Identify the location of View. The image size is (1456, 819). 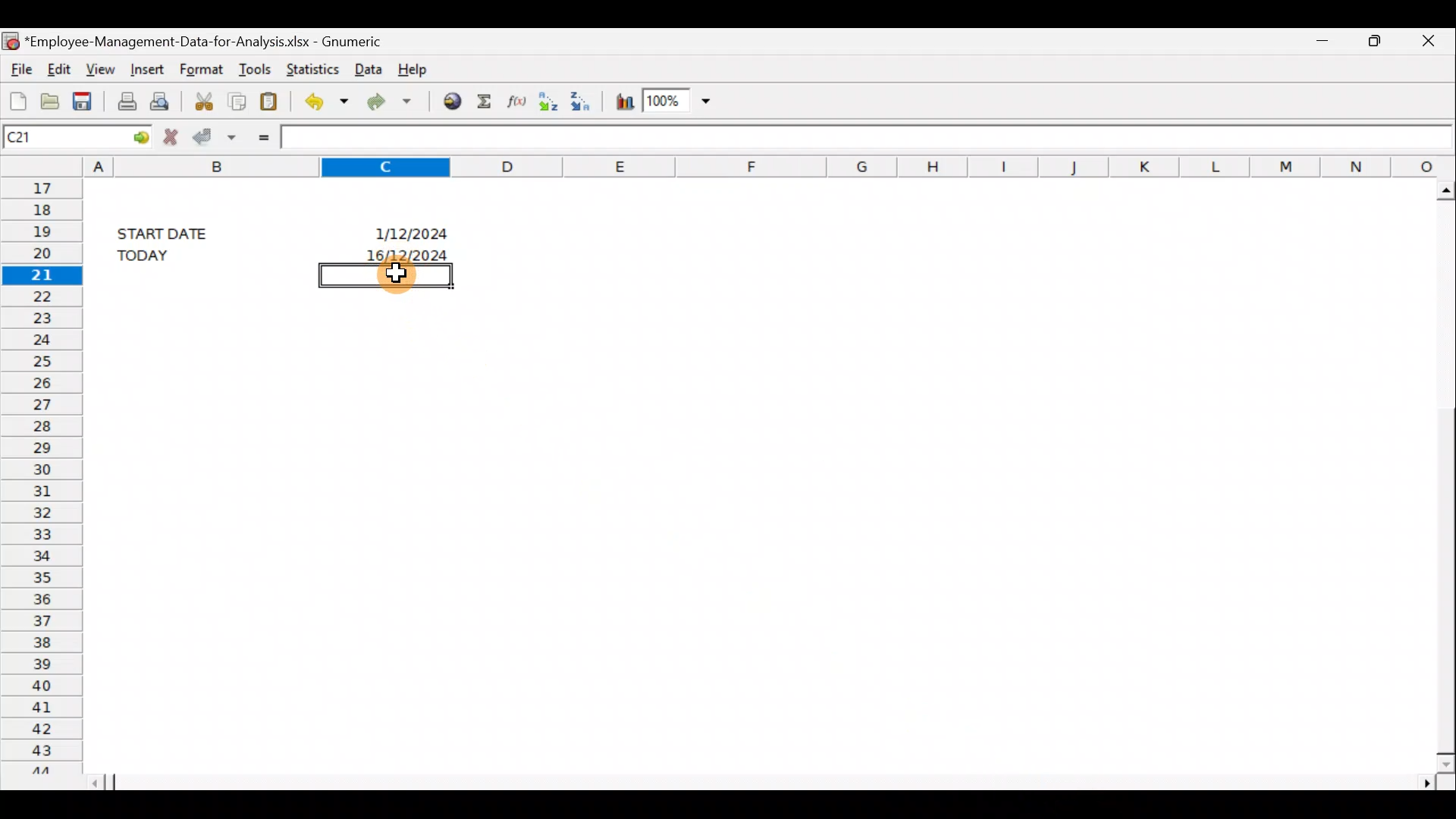
(102, 68).